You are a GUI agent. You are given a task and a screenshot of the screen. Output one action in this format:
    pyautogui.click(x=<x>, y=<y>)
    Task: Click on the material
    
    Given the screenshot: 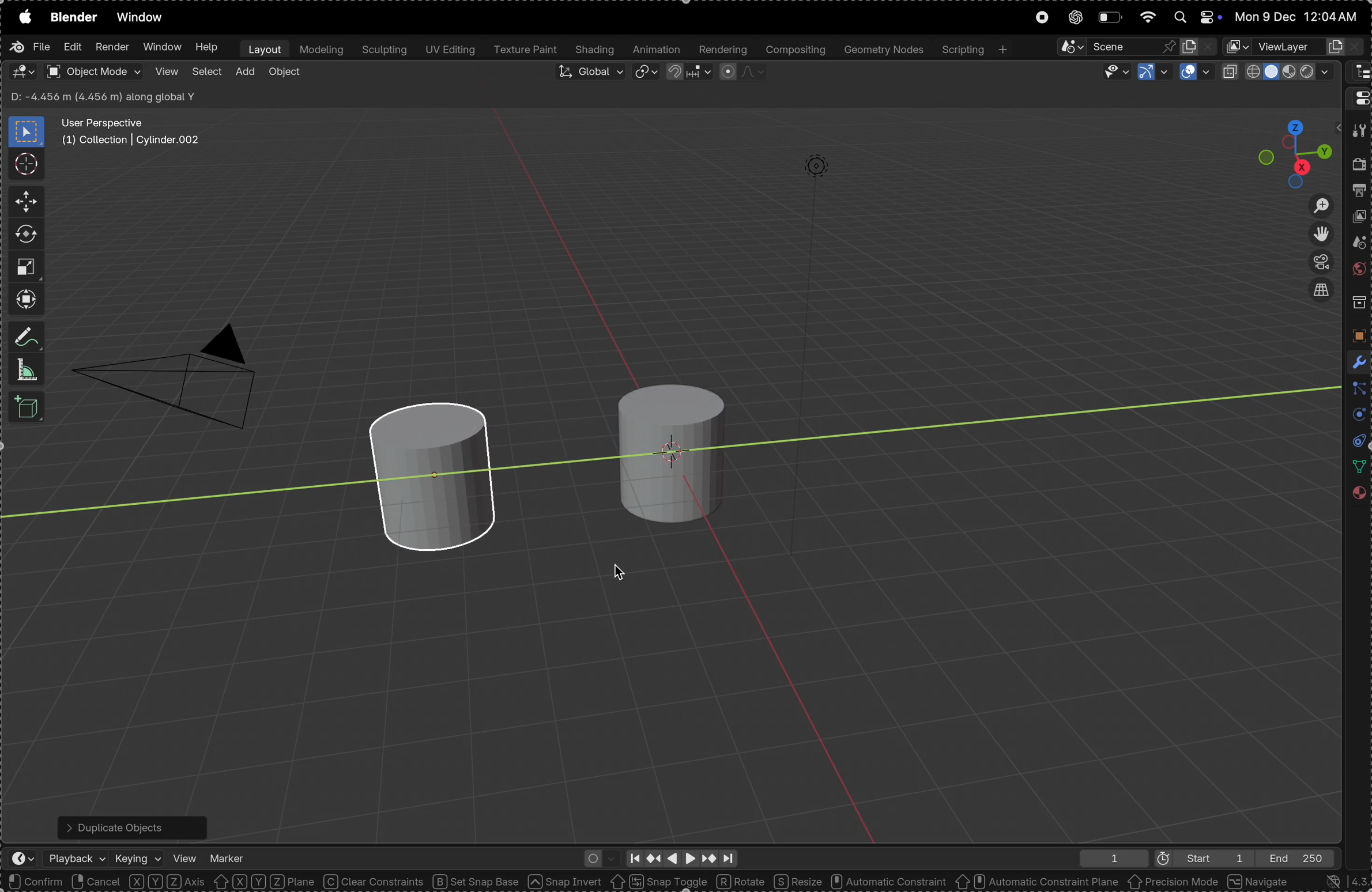 What is the action you would take?
    pyautogui.click(x=1358, y=497)
    